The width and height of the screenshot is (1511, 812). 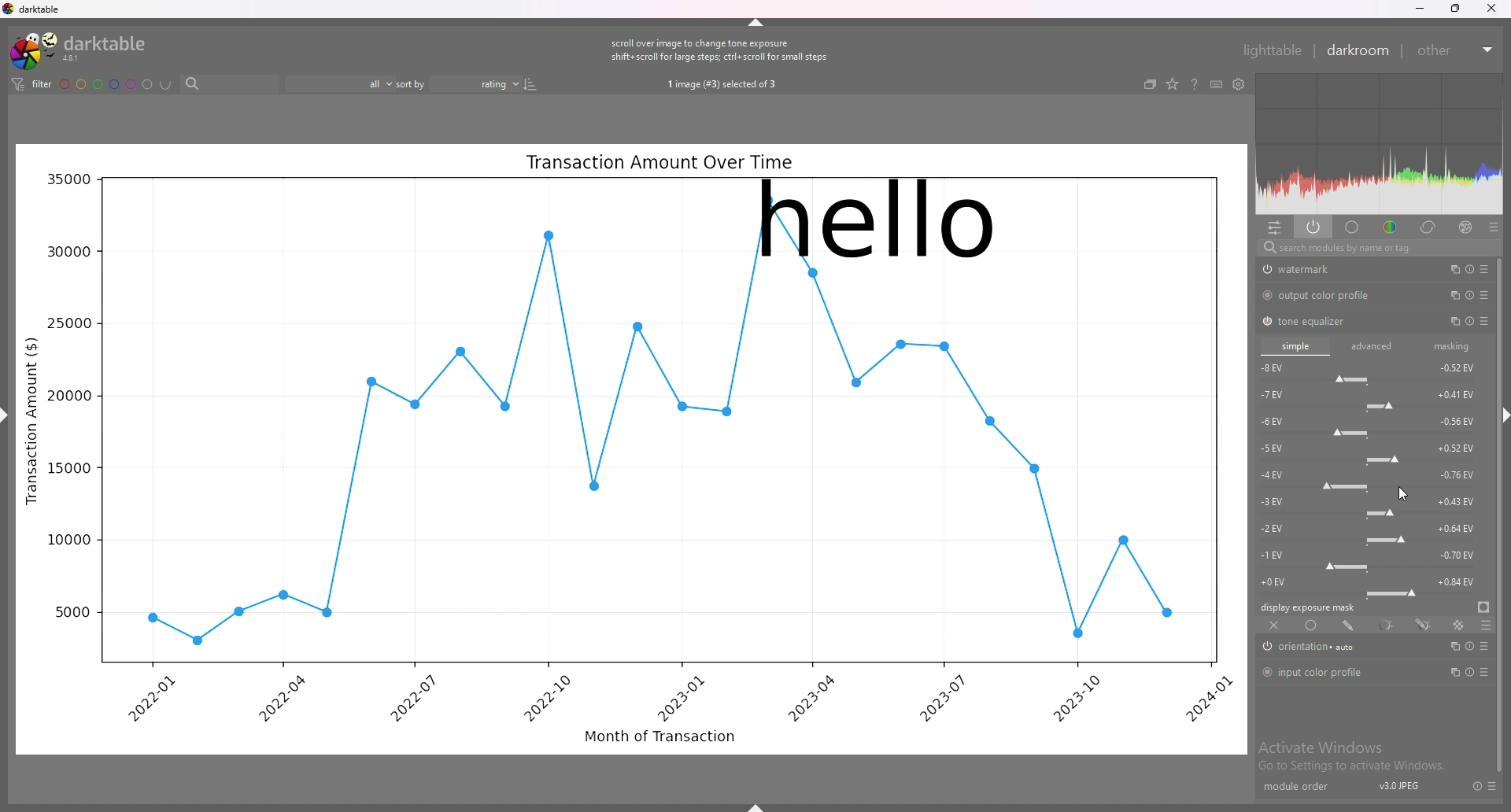 I want to click on switch off/on, so click(x=1266, y=648).